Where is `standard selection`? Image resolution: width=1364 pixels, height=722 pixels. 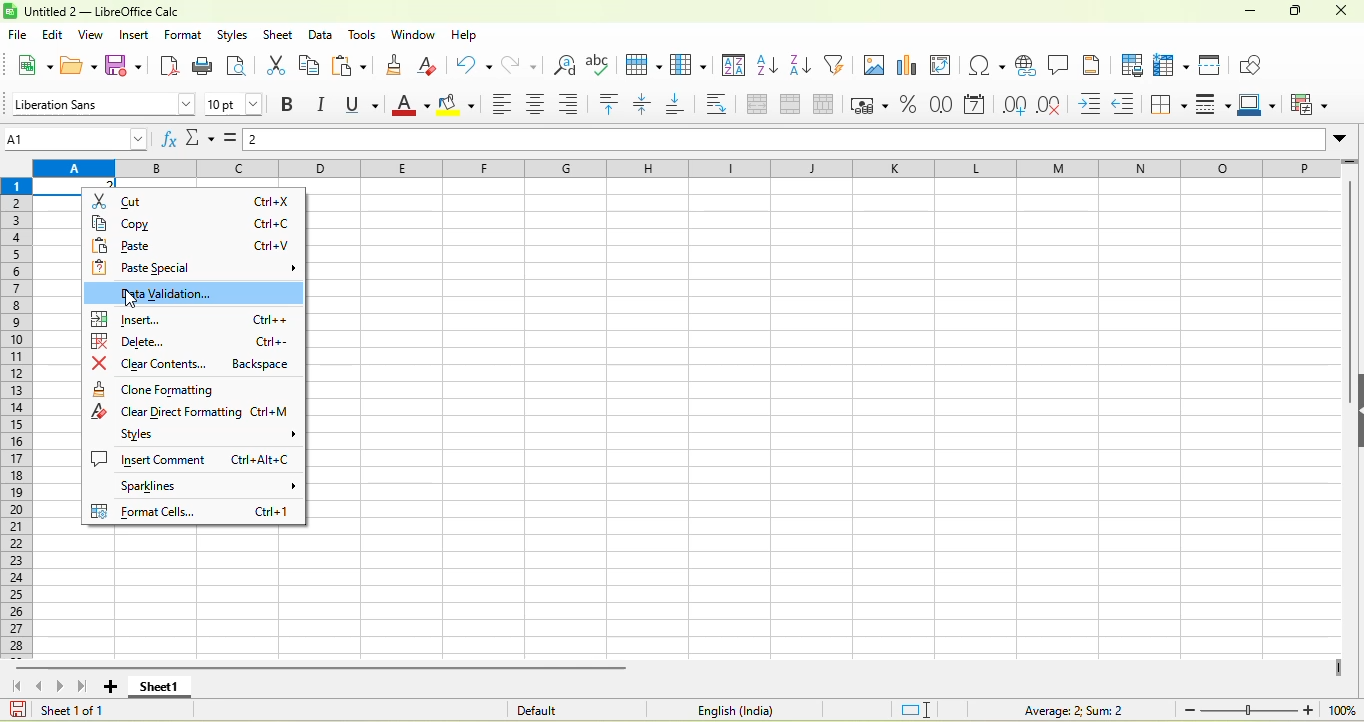 standard selection is located at coordinates (919, 711).